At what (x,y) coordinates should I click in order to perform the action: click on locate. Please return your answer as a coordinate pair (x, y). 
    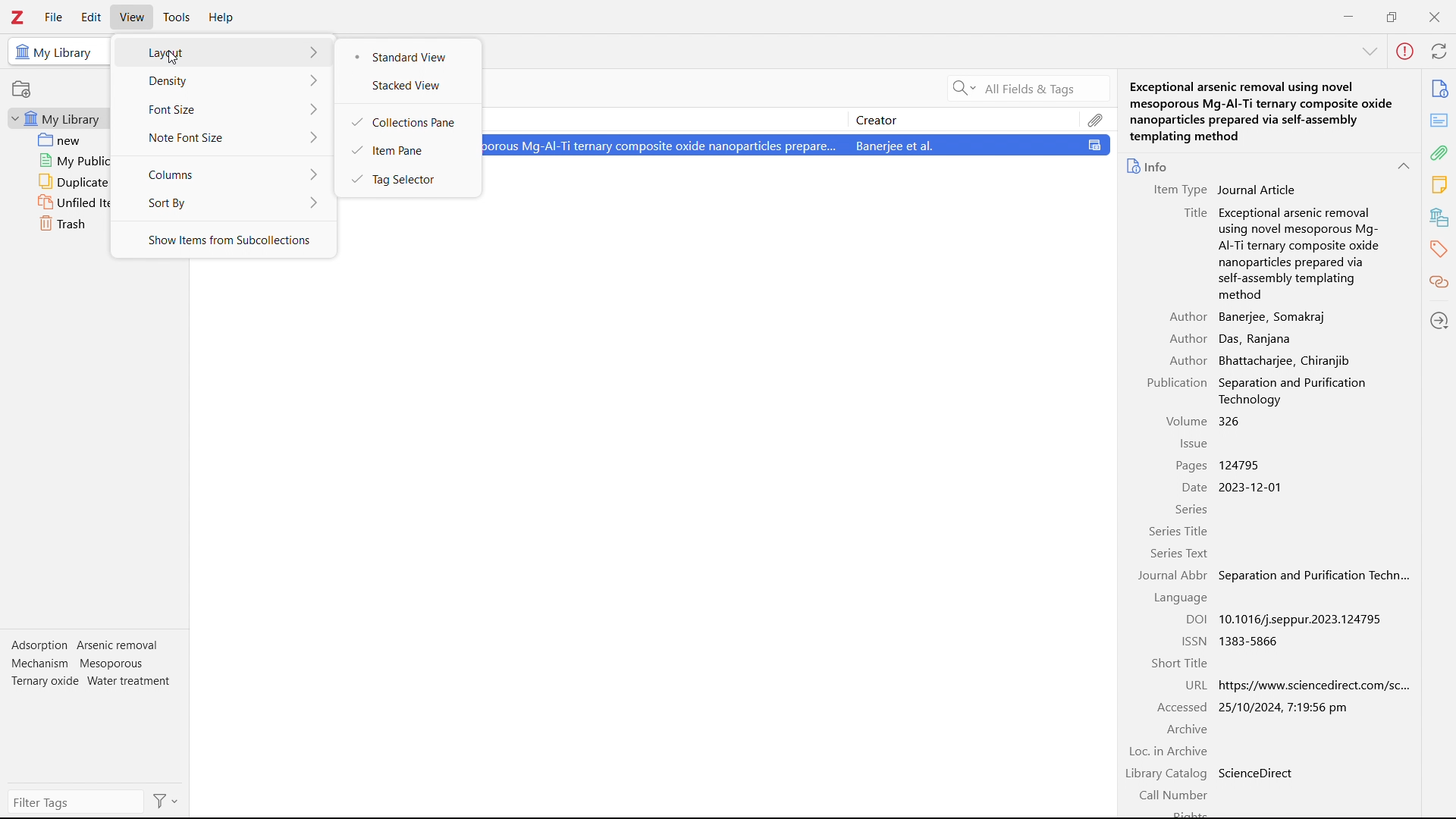
    Looking at the image, I should click on (1440, 320).